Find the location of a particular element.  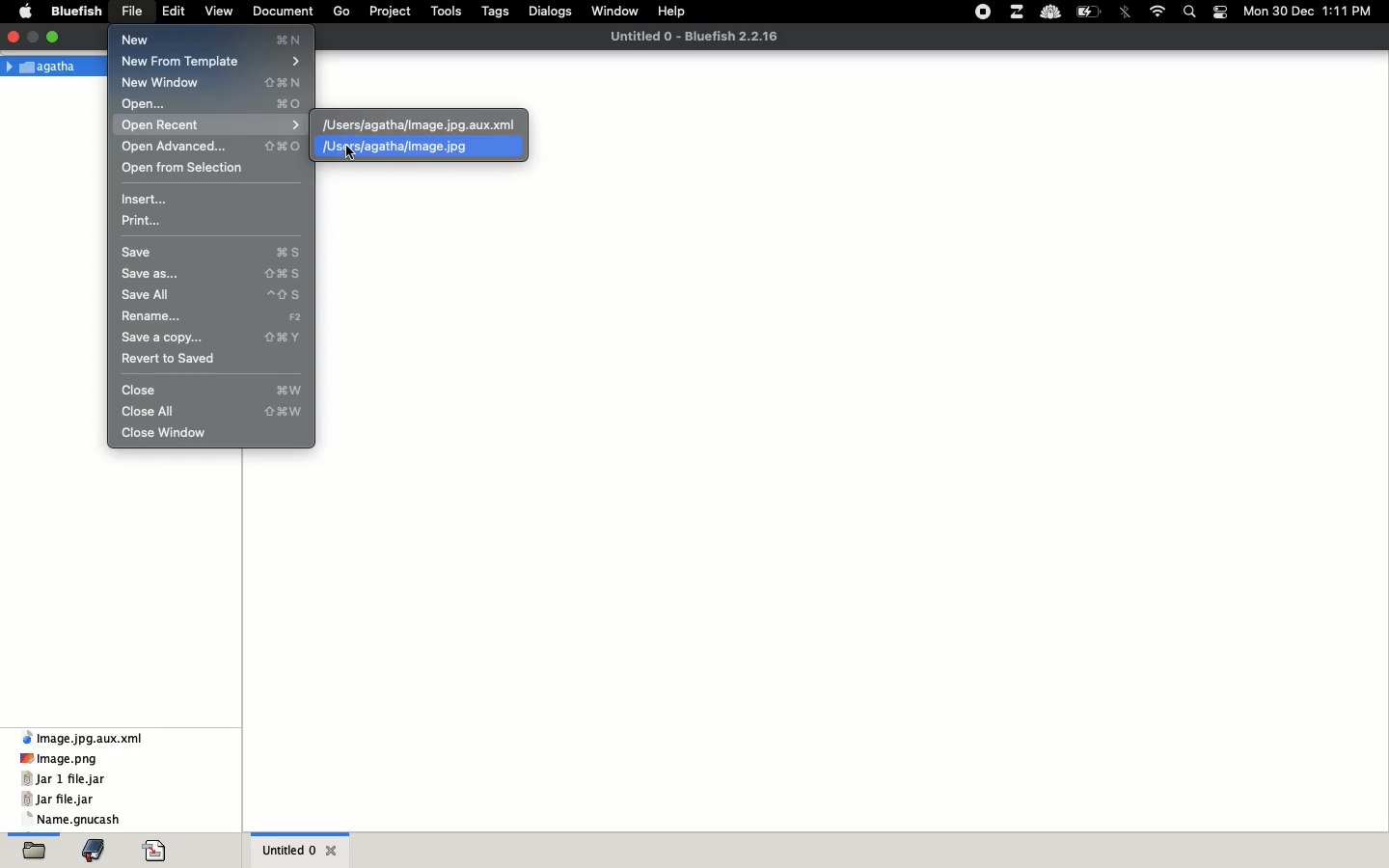

revert to saved is located at coordinates (173, 359).